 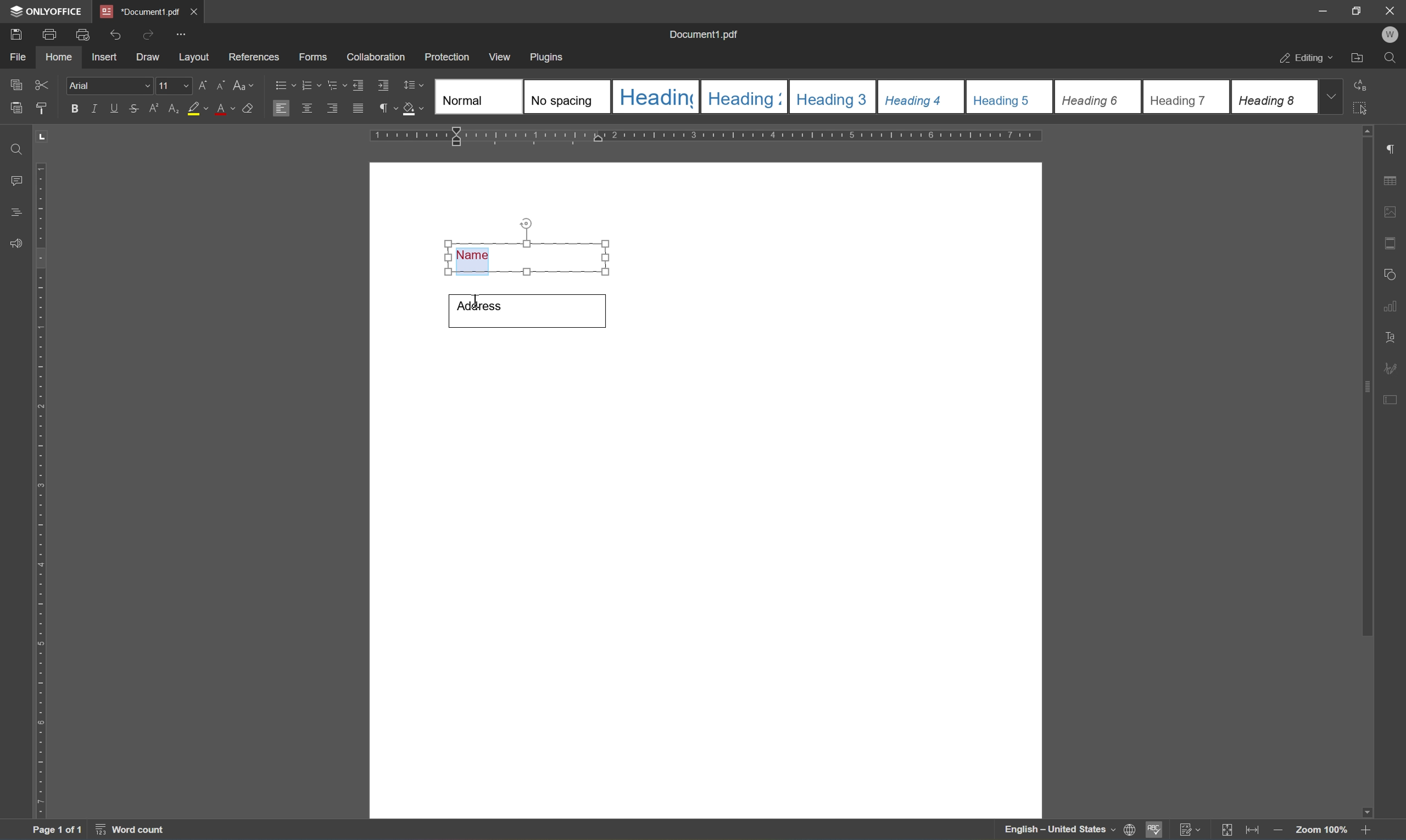 I want to click on presentation1.pdf, so click(x=139, y=11).